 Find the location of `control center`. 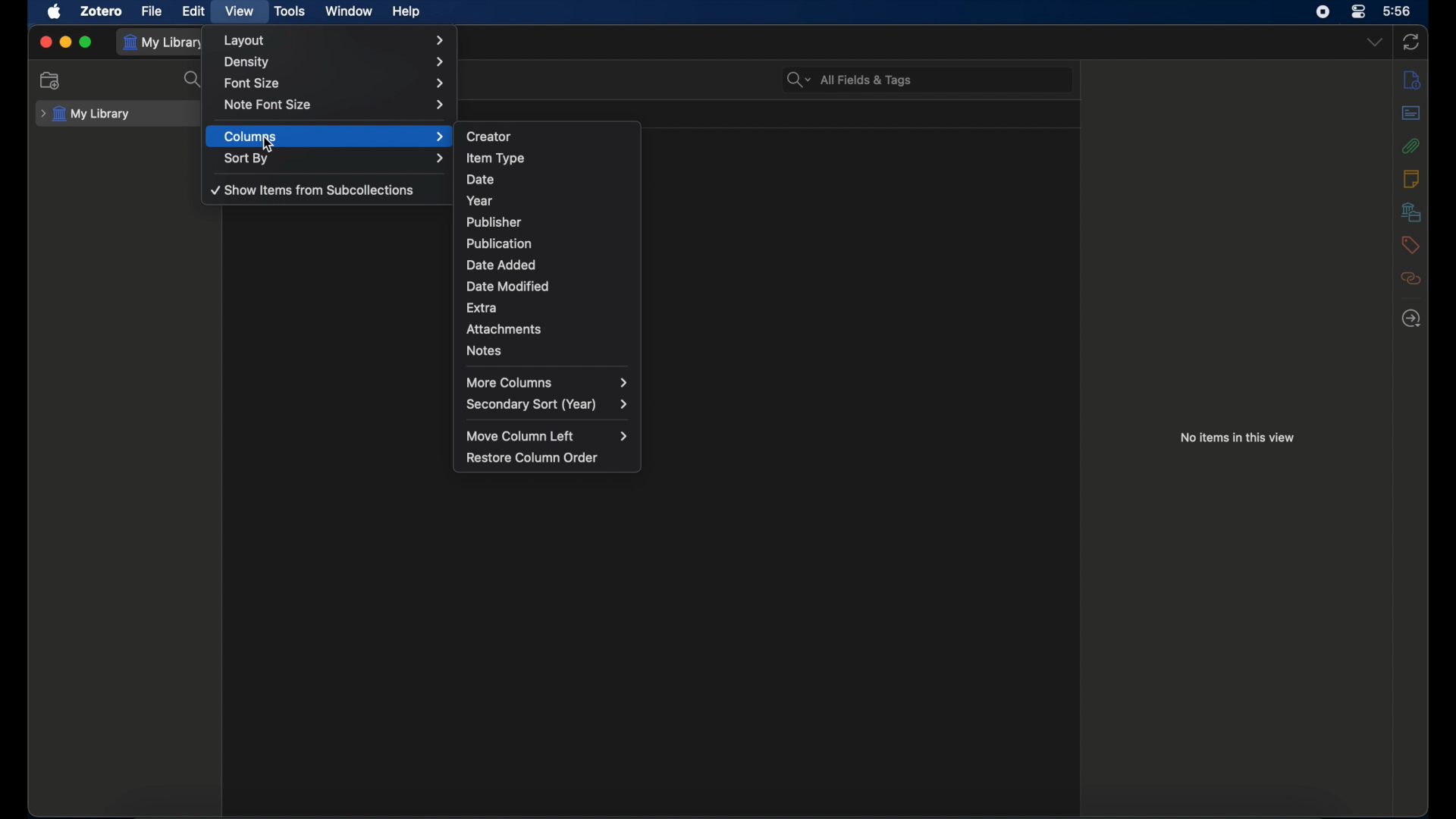

control center is located at coordinates (1357, 11).